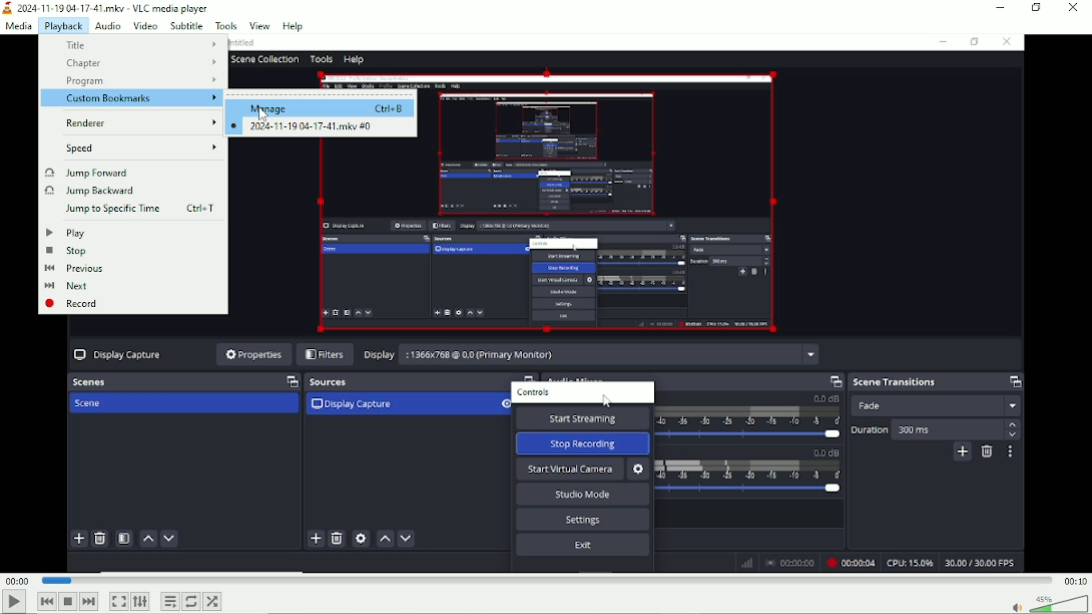 This screenshot has height=614, width=1092. I want to click on Previous, so click(74, 269).